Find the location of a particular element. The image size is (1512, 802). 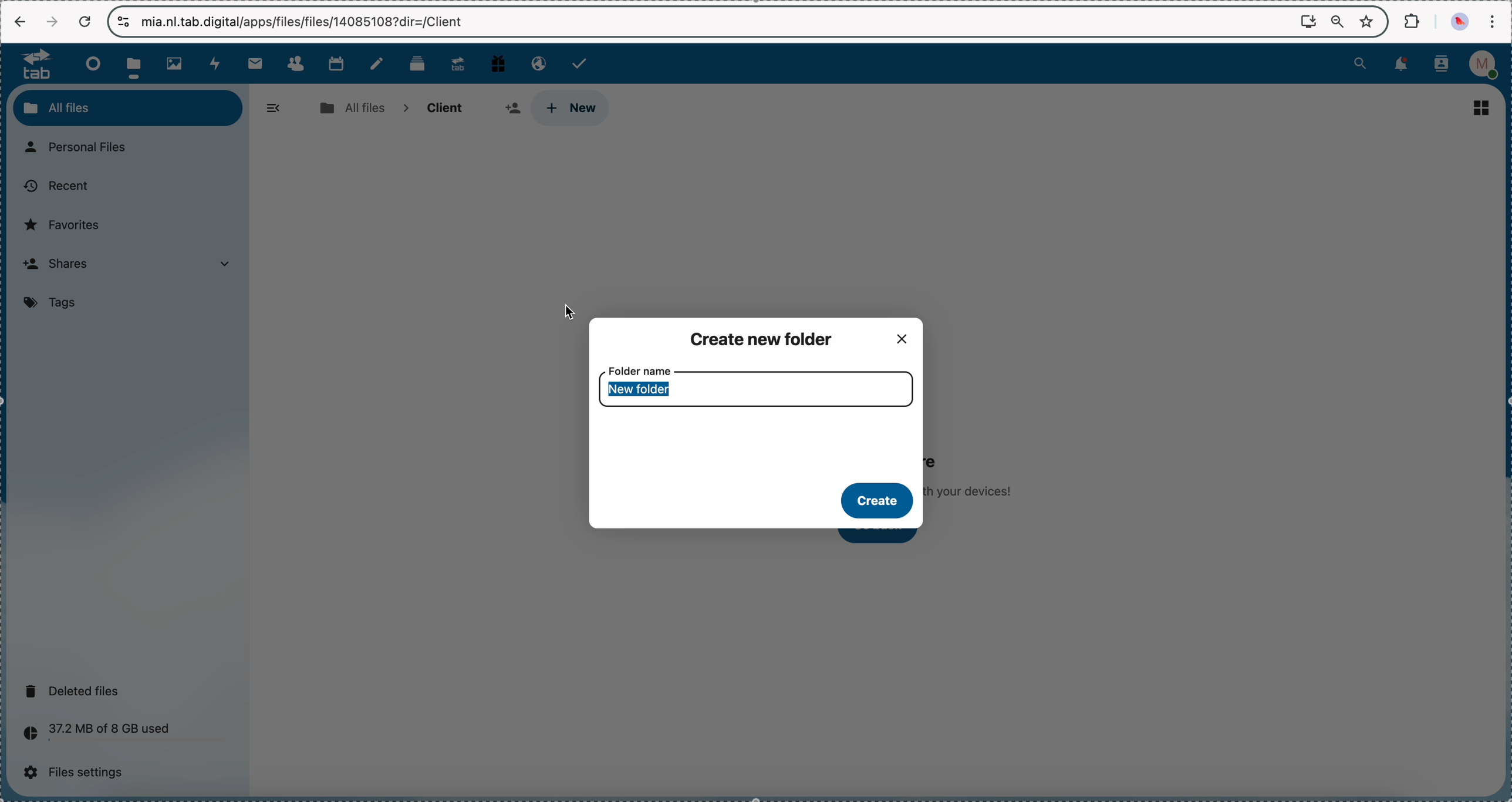

shares is located at coordinates (132, 265).